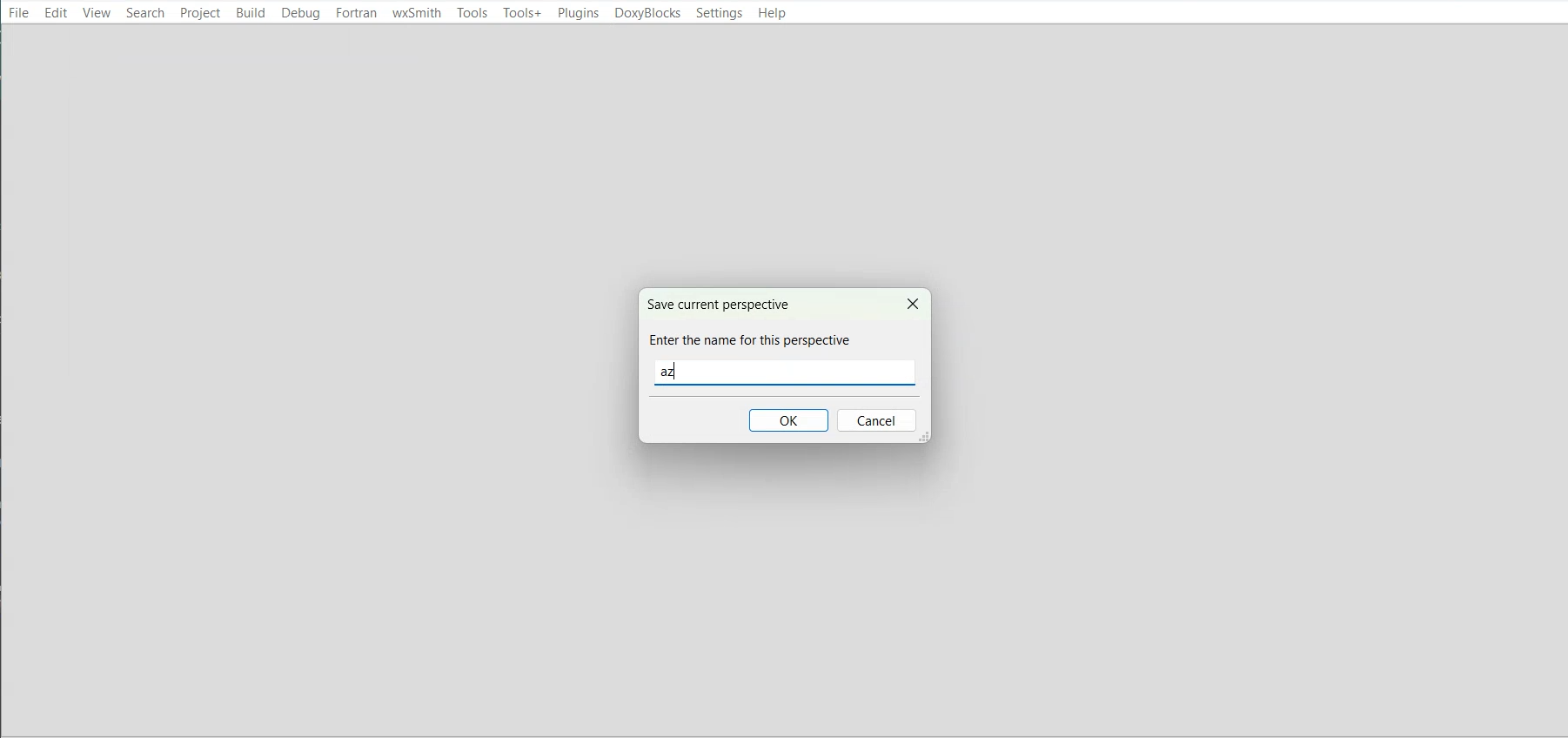 The image size is (1568, 738). I want to click on View, so click(97, 12).